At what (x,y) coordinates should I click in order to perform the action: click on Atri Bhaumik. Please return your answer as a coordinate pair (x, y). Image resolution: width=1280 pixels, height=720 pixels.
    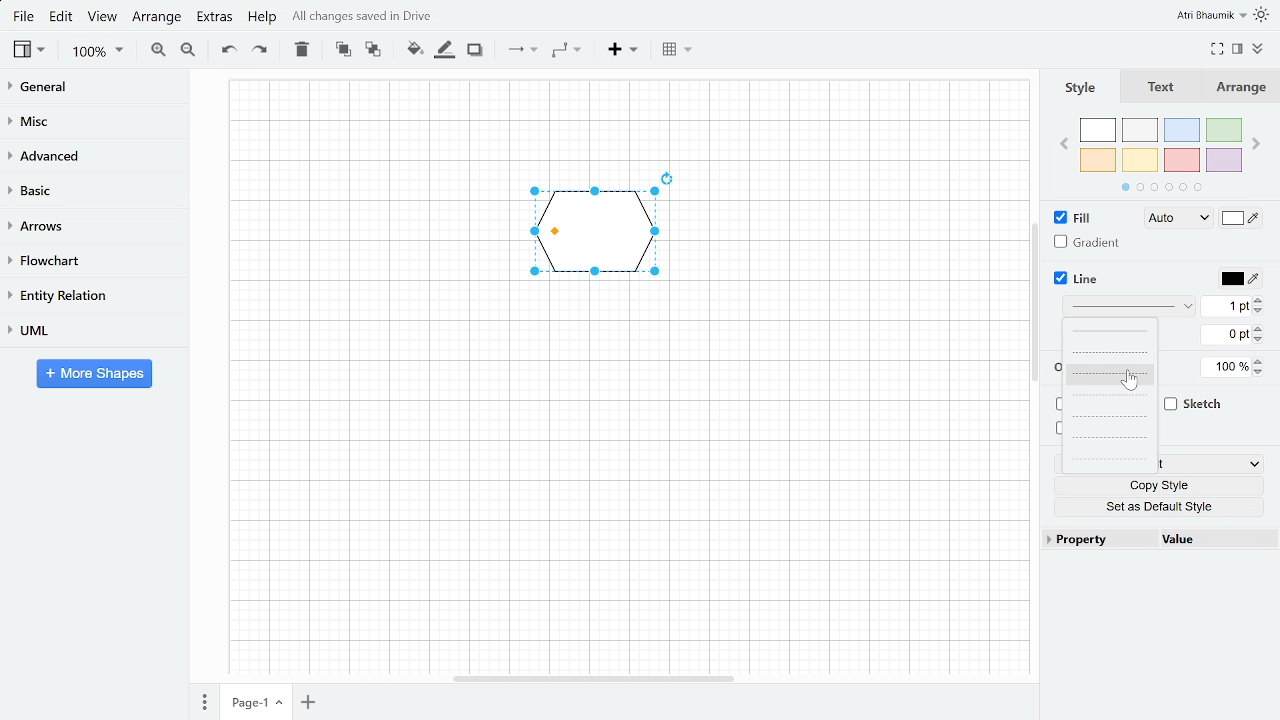
    Looking at the image, I should click on (1212, 15).